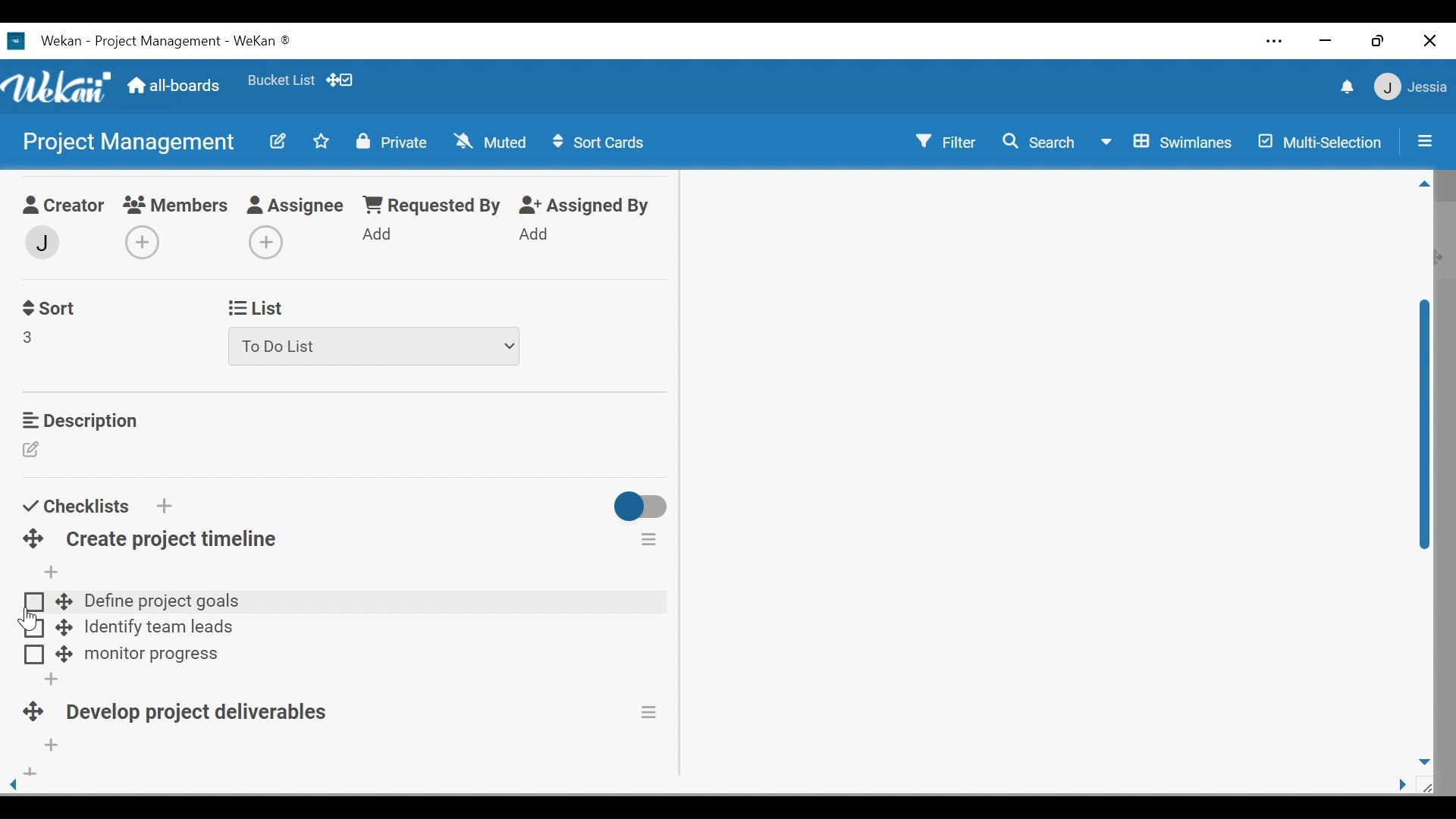 This screenshot has height=819, width=1456. What do you see at coordinates (1426, 428) in the screenshot?
I see `Vertical scroll bar` at bounding box center [1426, 428].